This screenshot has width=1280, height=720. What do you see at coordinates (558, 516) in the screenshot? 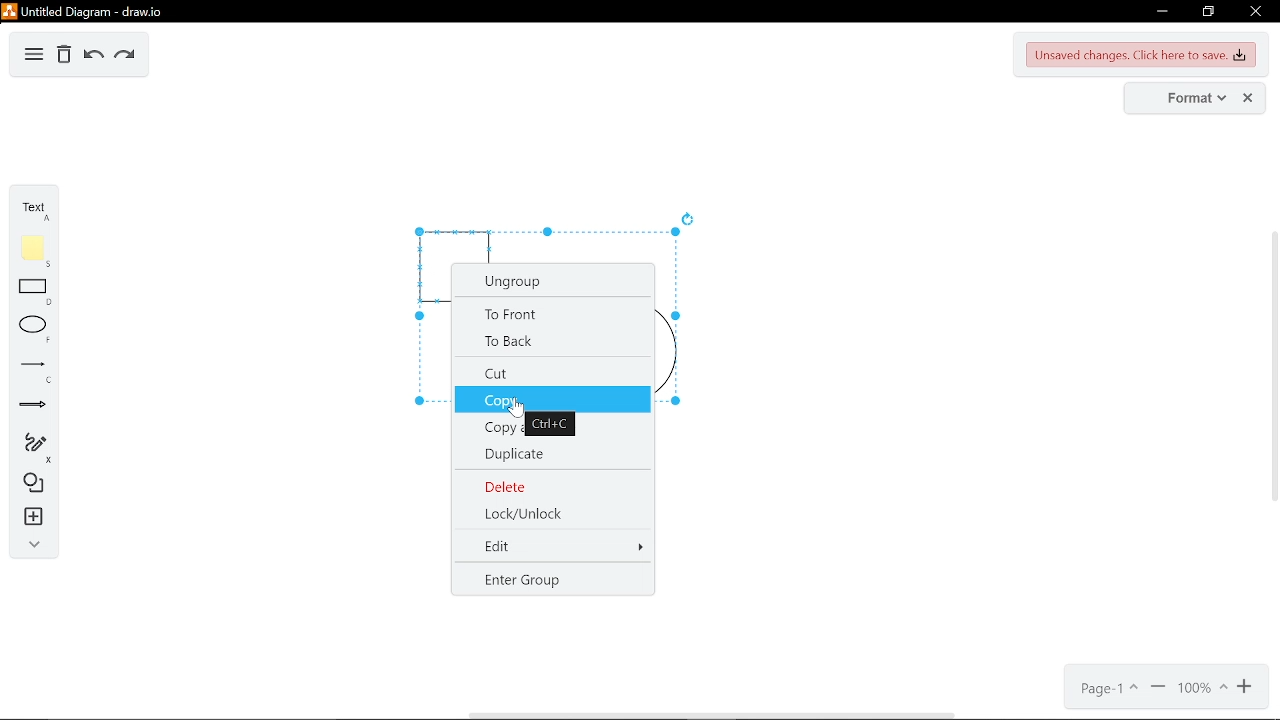
I see `Lock/Unlock` at bounding box center [558, 516].